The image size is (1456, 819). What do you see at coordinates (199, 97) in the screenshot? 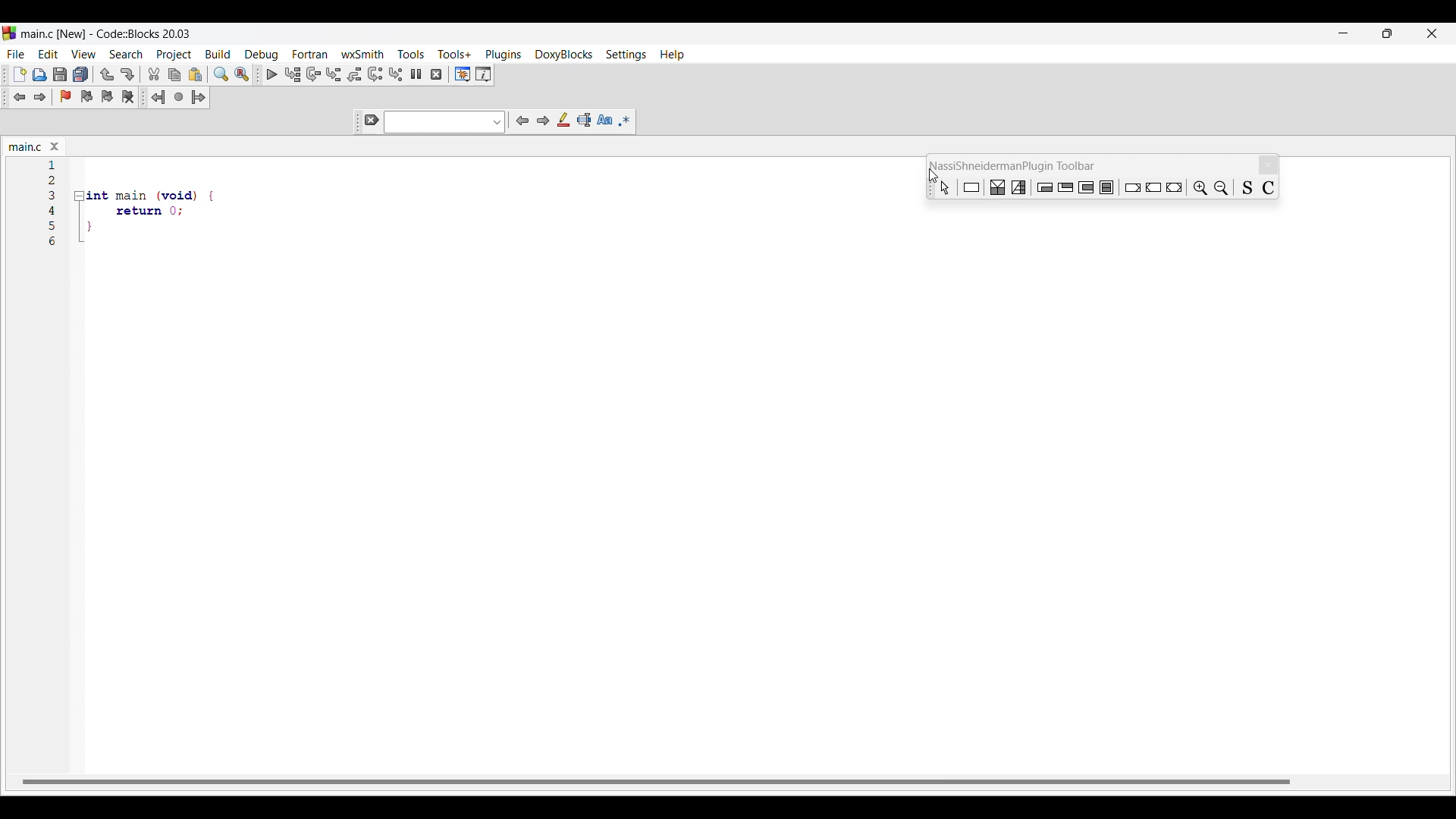
I see `Jump forward` at bounding box center [199, 97].